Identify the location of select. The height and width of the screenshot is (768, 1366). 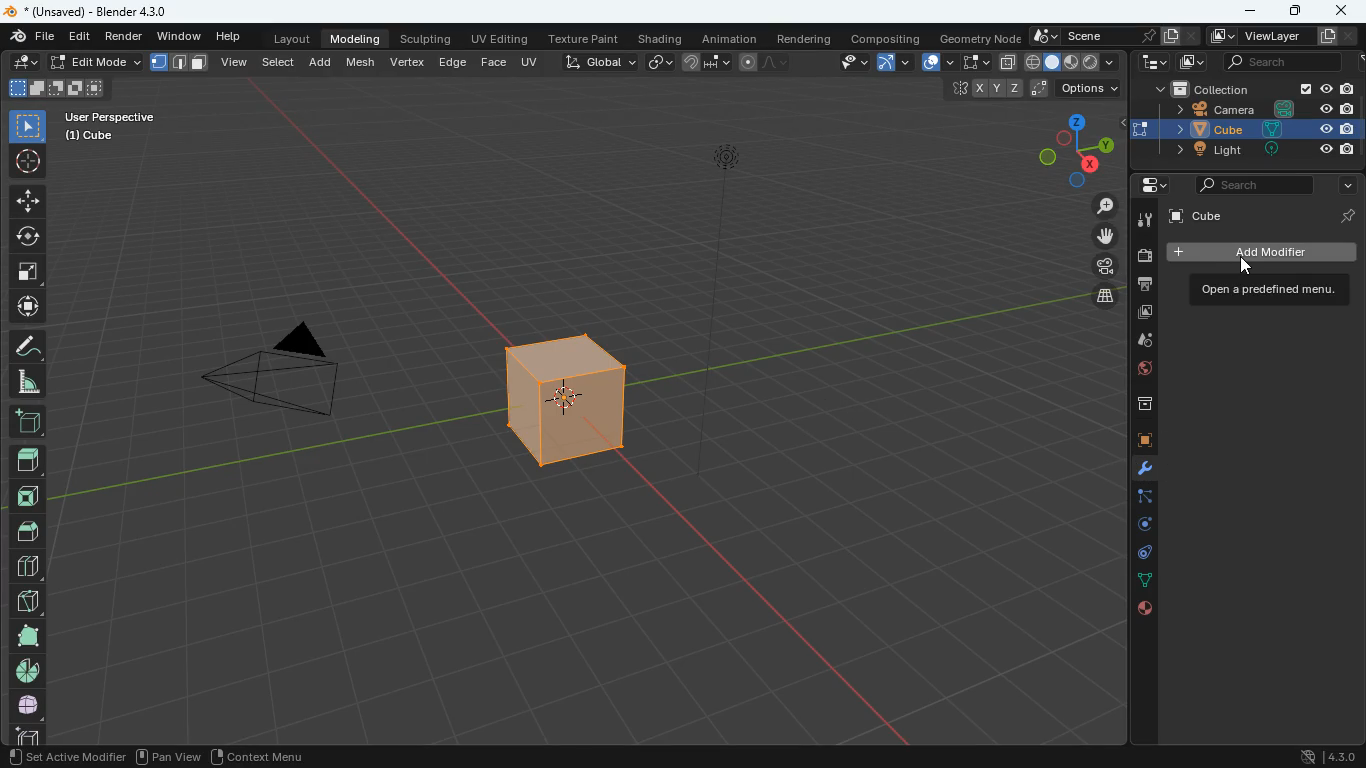
(975, 63).